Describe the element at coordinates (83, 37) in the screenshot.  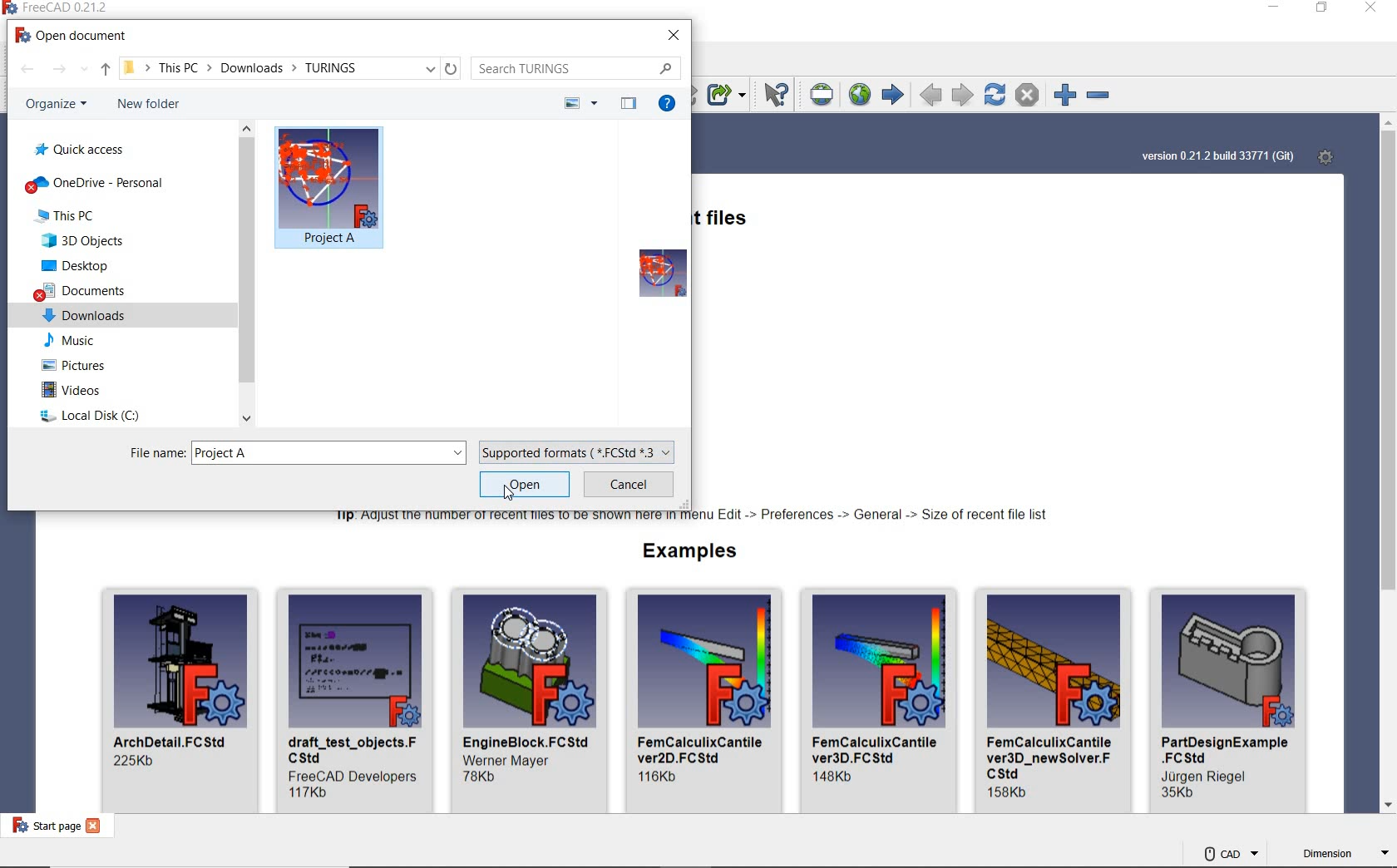
I see `OPEN DOCUMENT` at that location.